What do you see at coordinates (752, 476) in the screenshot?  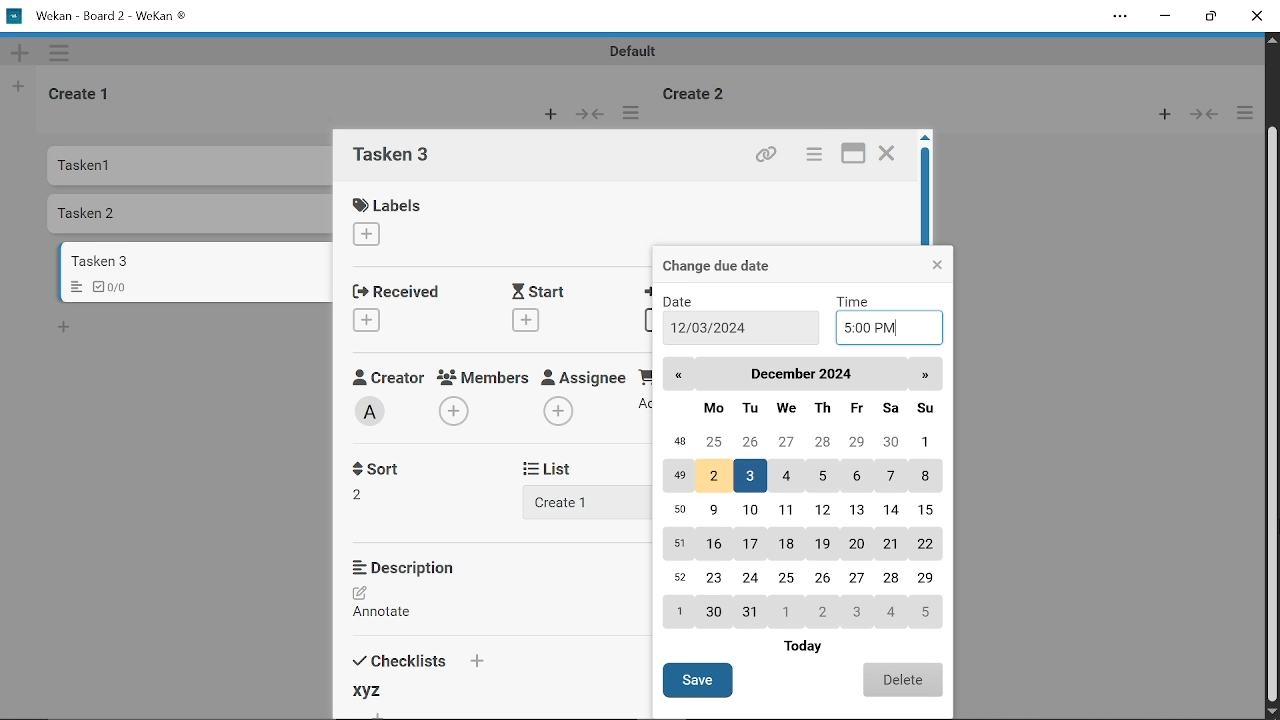 I see `date selected` at bounding box center [752, 476].